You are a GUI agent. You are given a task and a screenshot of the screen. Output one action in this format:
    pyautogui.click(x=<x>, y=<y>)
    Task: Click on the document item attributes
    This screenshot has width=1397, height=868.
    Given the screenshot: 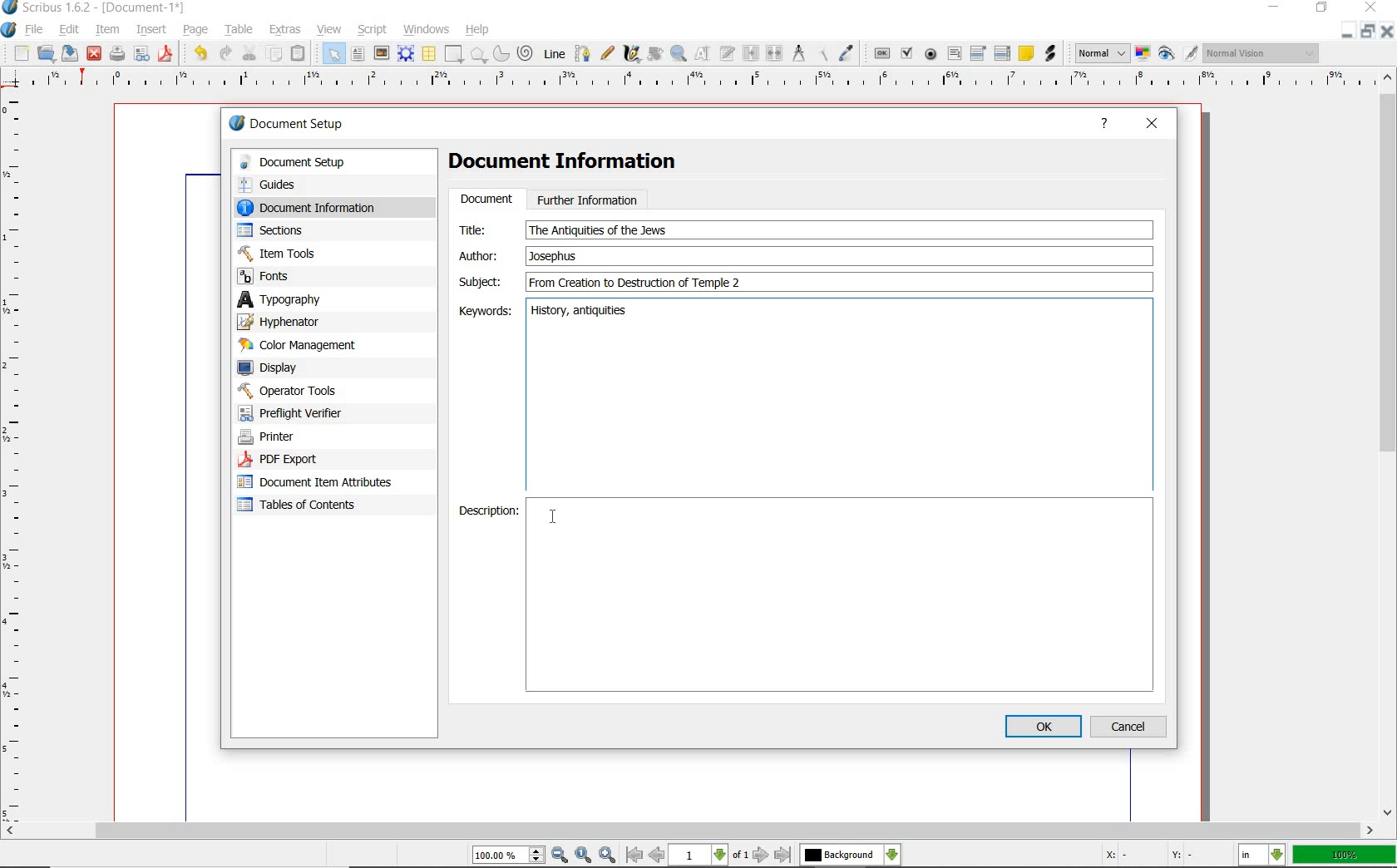 What is the action you would take?
    pyautogui.click(x=321, y=484)
    